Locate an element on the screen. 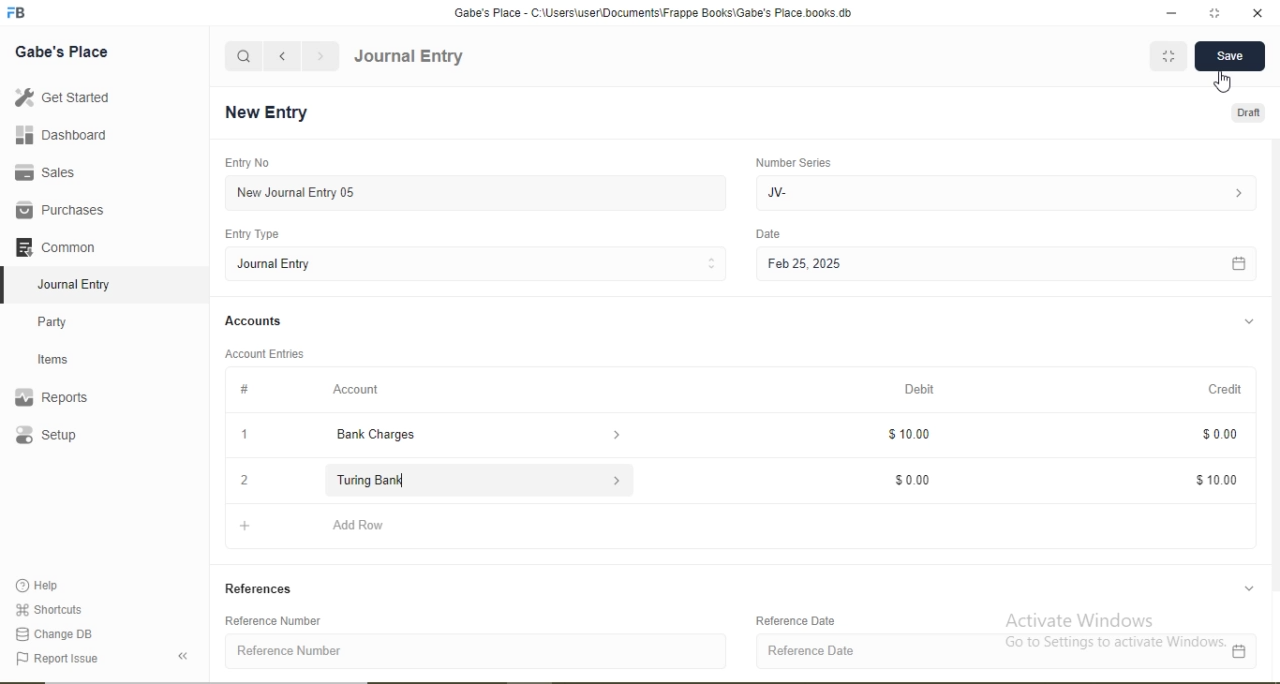 This screenshot has width=1280, height=684. Number Series is located at coordinates (792, 162).